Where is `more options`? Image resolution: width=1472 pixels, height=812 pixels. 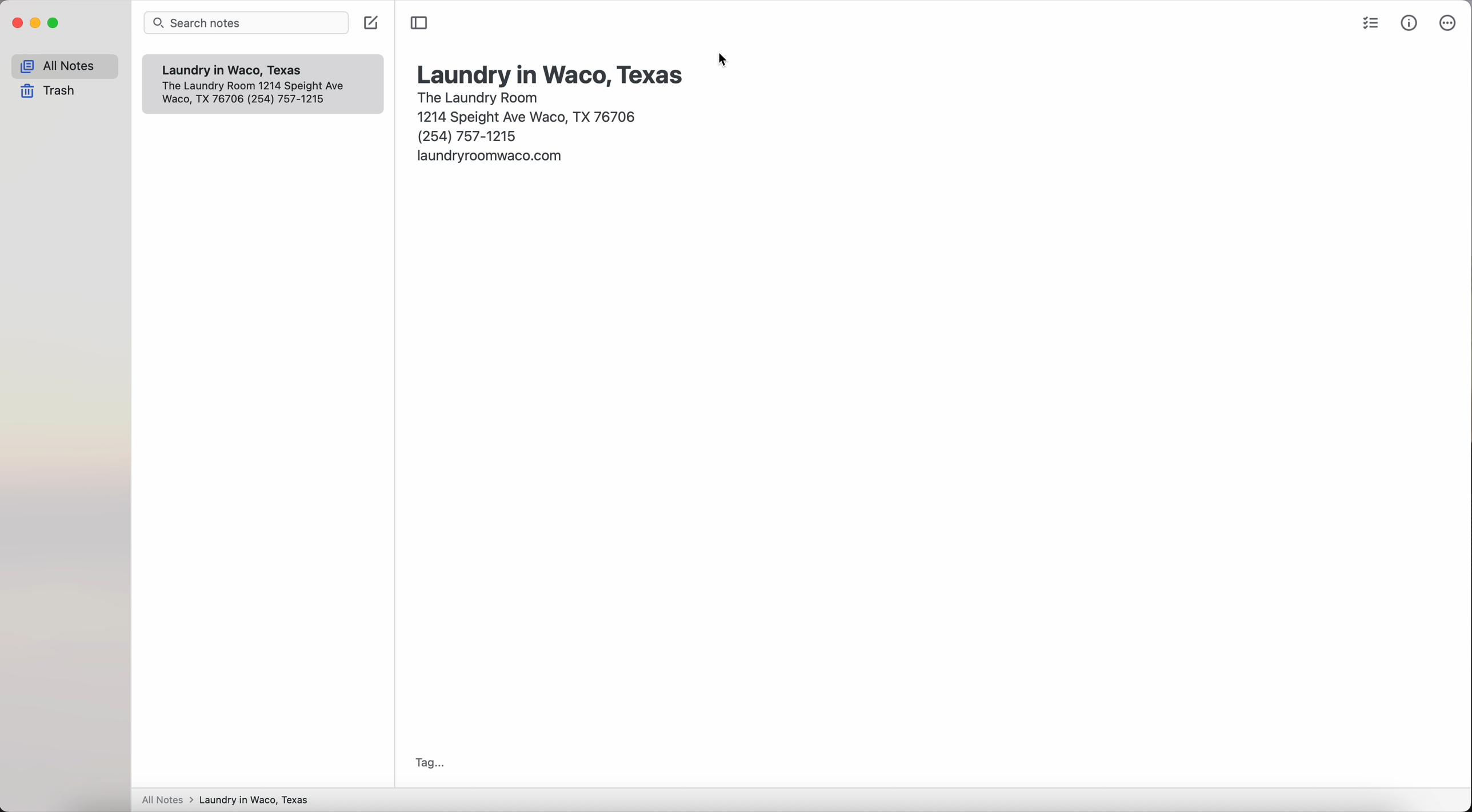 more options is located at coordinates (1446, 23).